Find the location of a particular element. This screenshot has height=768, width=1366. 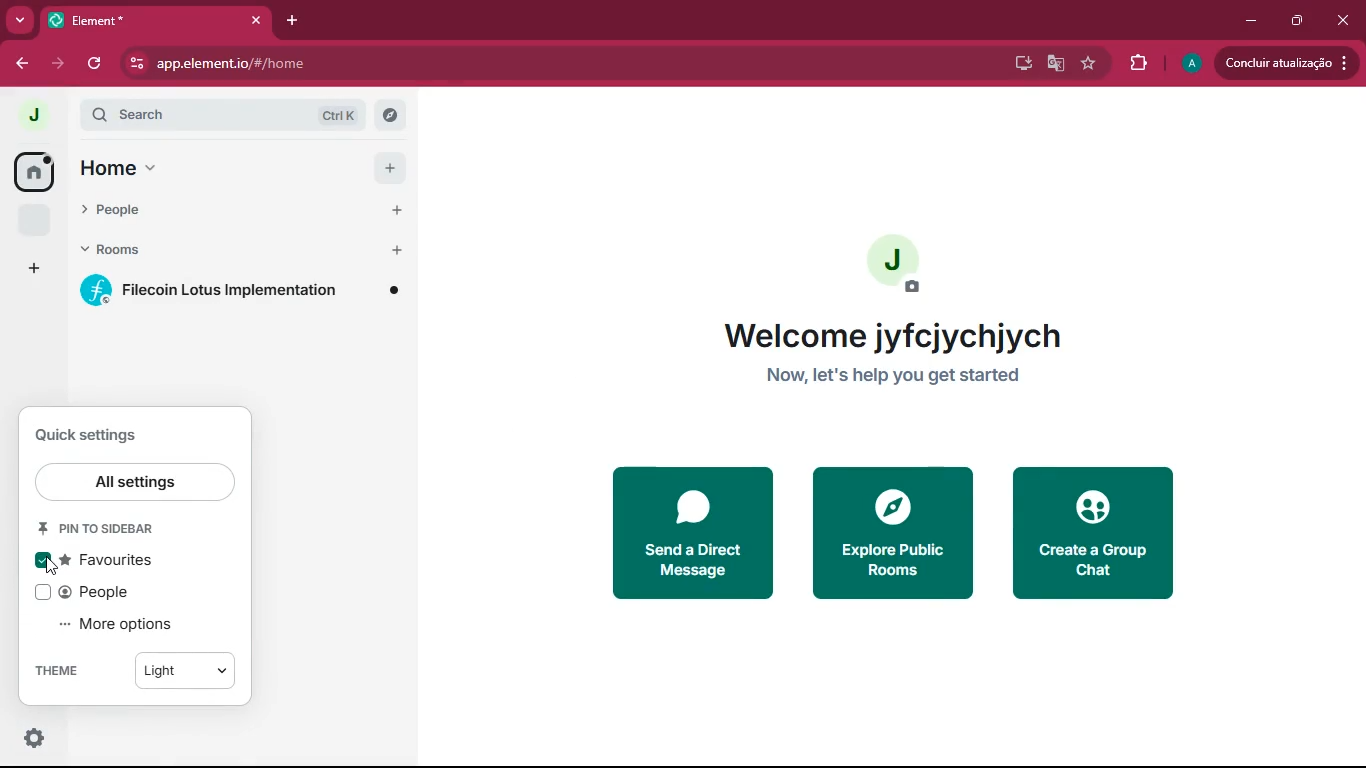

maximize is located at coordinates (1297, 22).